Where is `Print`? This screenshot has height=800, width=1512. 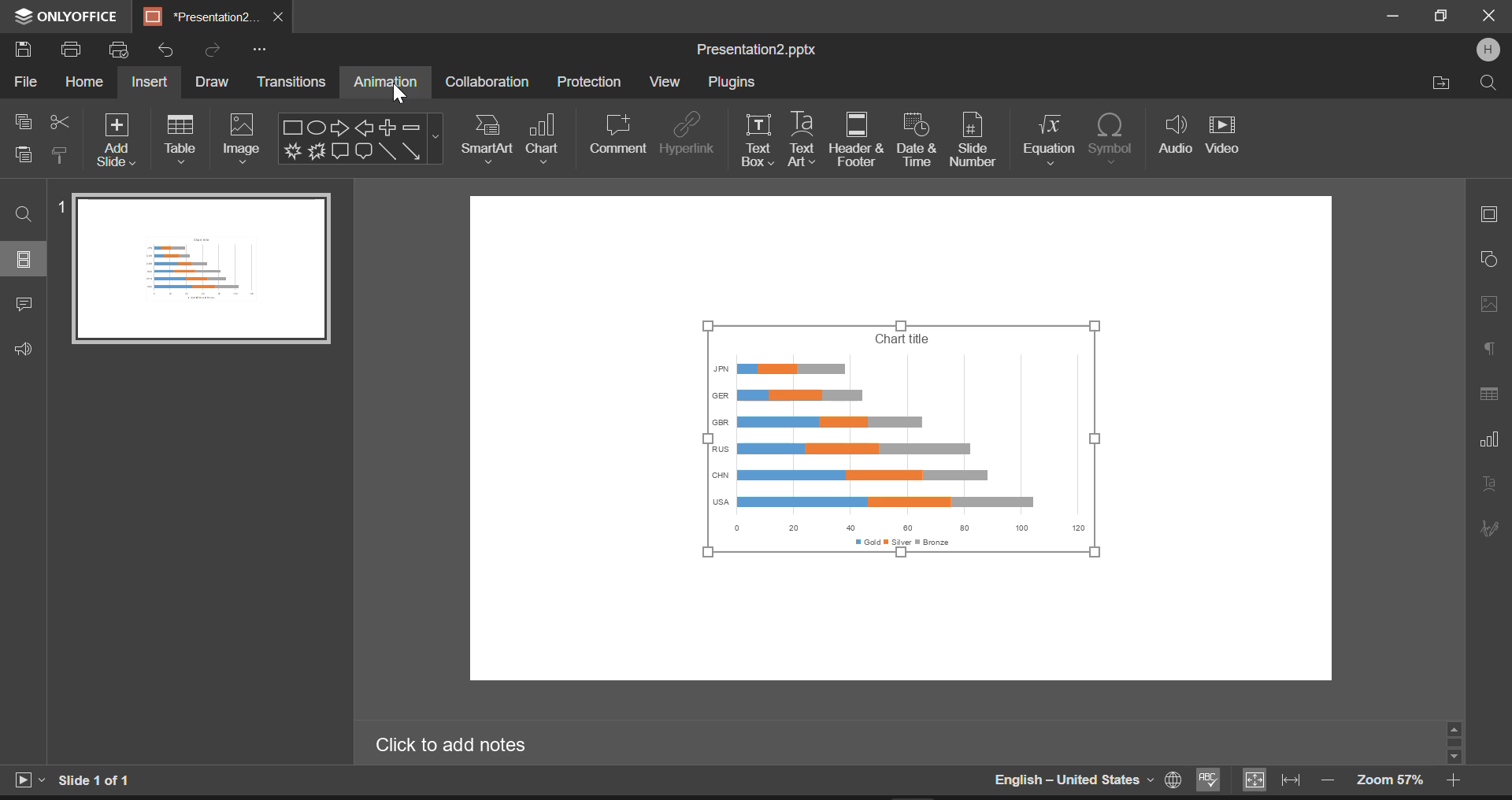 Print is located at coordinates (74, 51).